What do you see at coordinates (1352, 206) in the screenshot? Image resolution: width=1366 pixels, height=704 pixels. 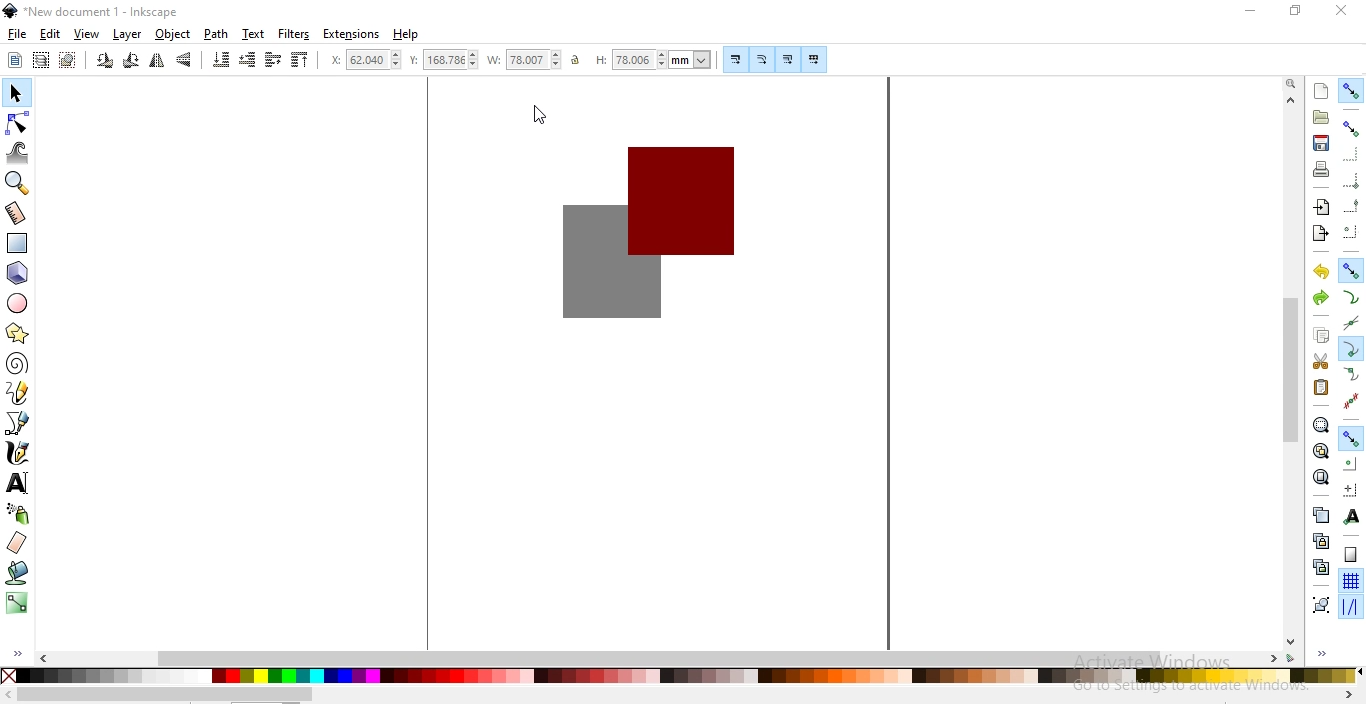 I see `snap midpoints of bounding box edges` at bounding box center [1352, 206].